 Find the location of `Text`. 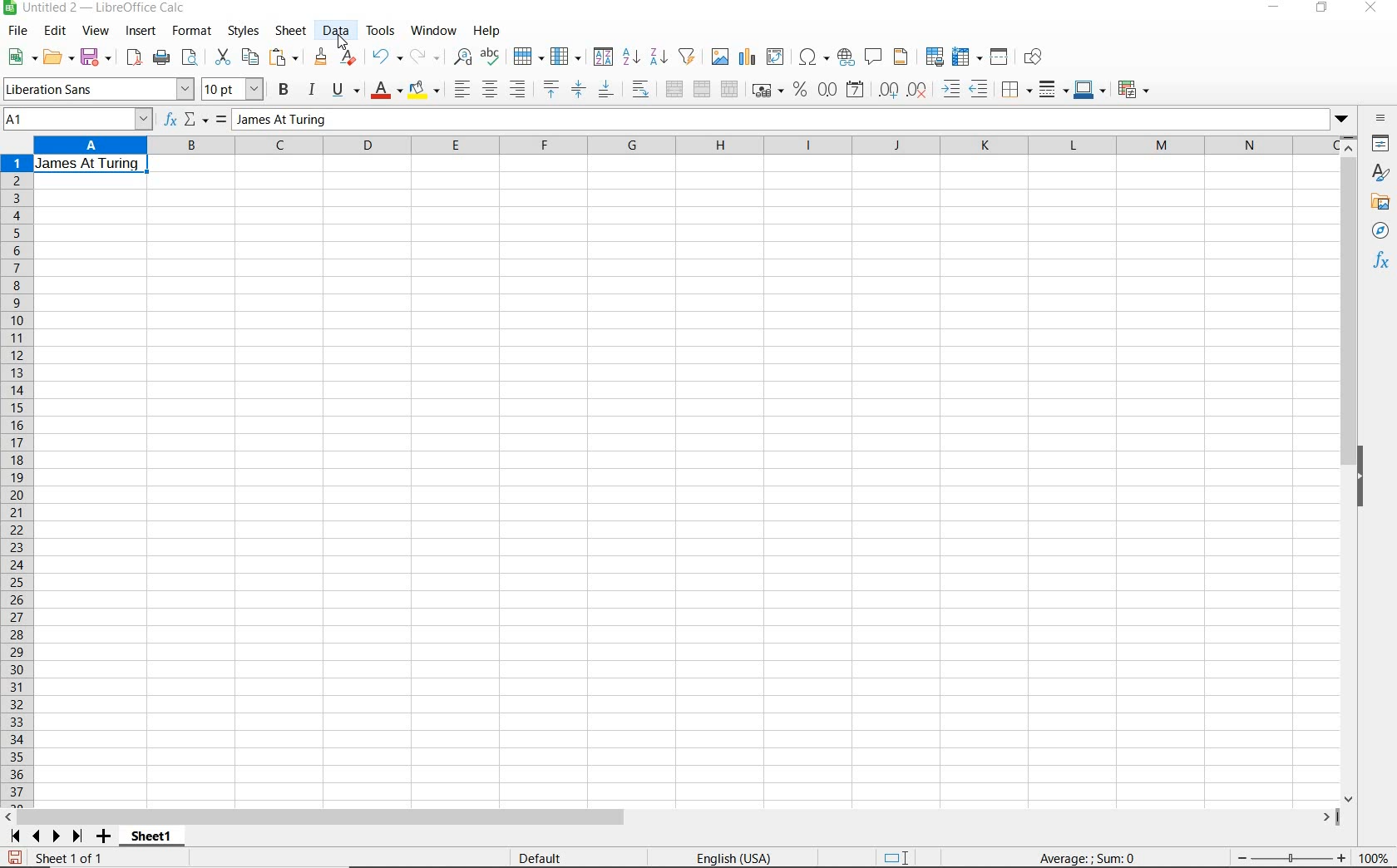

Text is located at coordinates (91, 165).